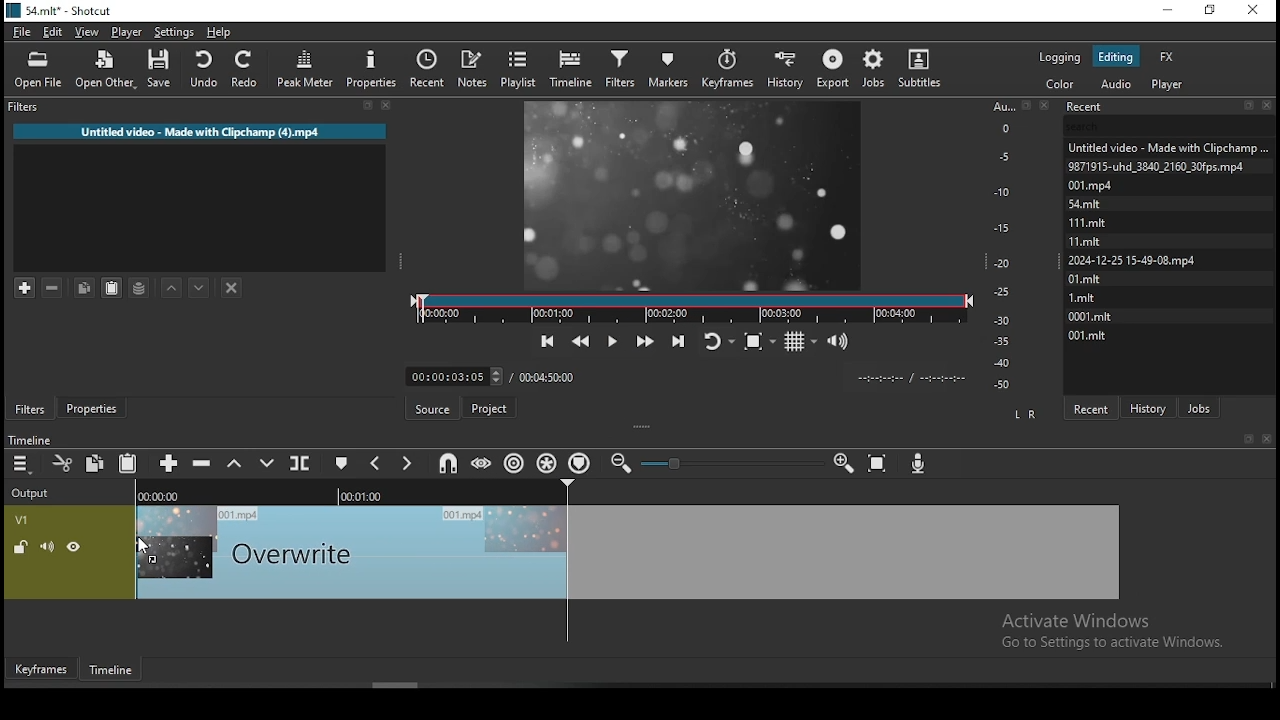 The width and height of the screenshot is (1280, 720). What do you see at coordinates (21, 464) in the screenshot?
I see `timeline menu` at bounding box center [21, 464].